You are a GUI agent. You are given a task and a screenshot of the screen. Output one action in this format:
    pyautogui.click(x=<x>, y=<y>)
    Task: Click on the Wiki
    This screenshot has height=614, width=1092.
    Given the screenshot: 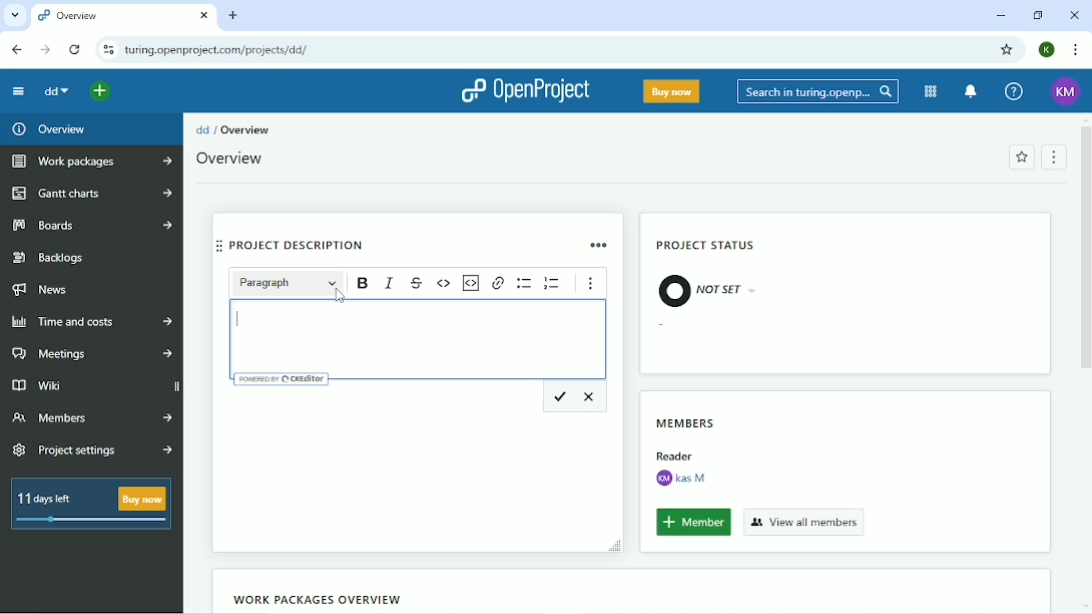 What is the action you would take?
    pyautogui.click(x=92, y=384)
    